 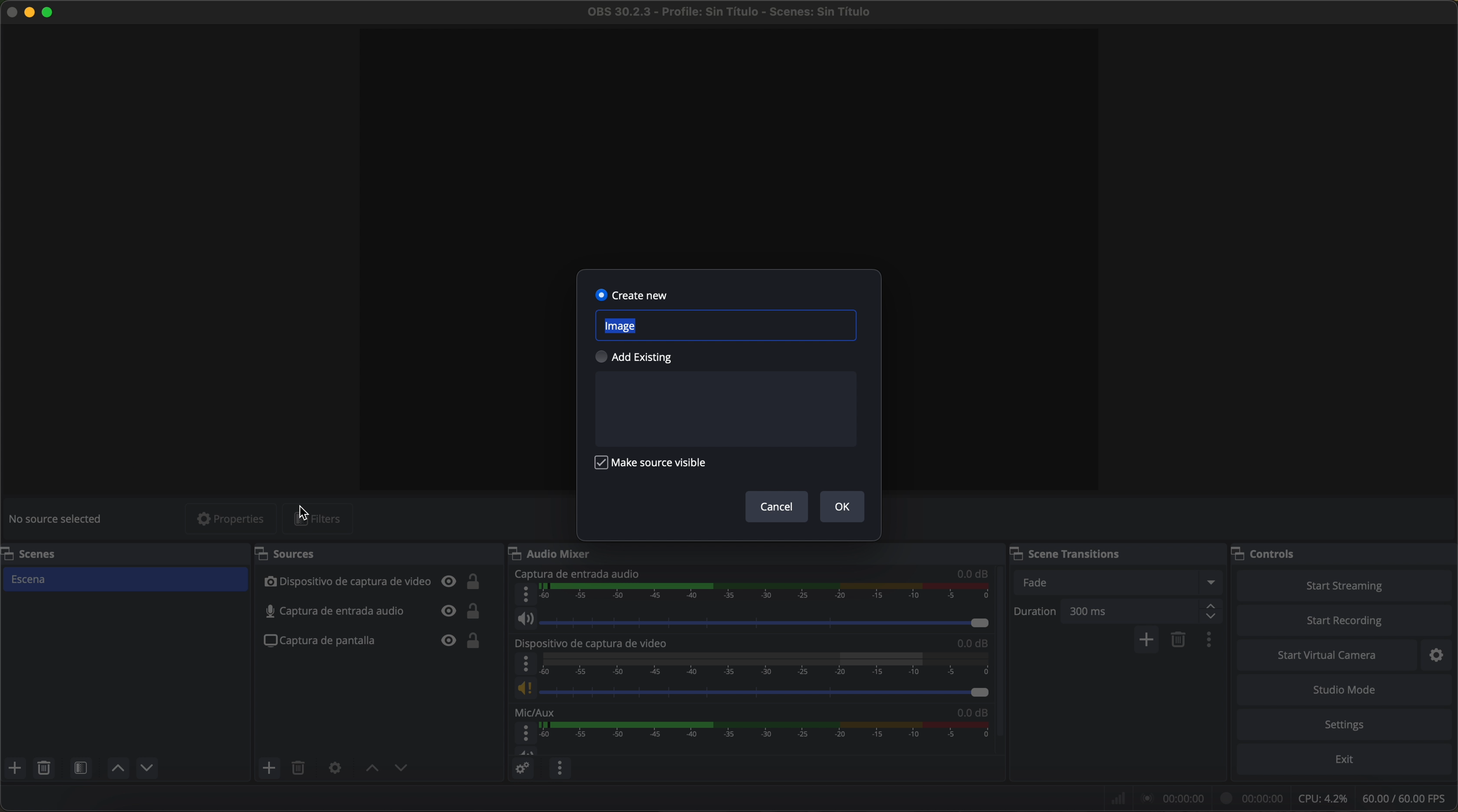 What do you see at coordinates (724, 324) in the screenshot?
I see `image` at bounding box center [724, 324].